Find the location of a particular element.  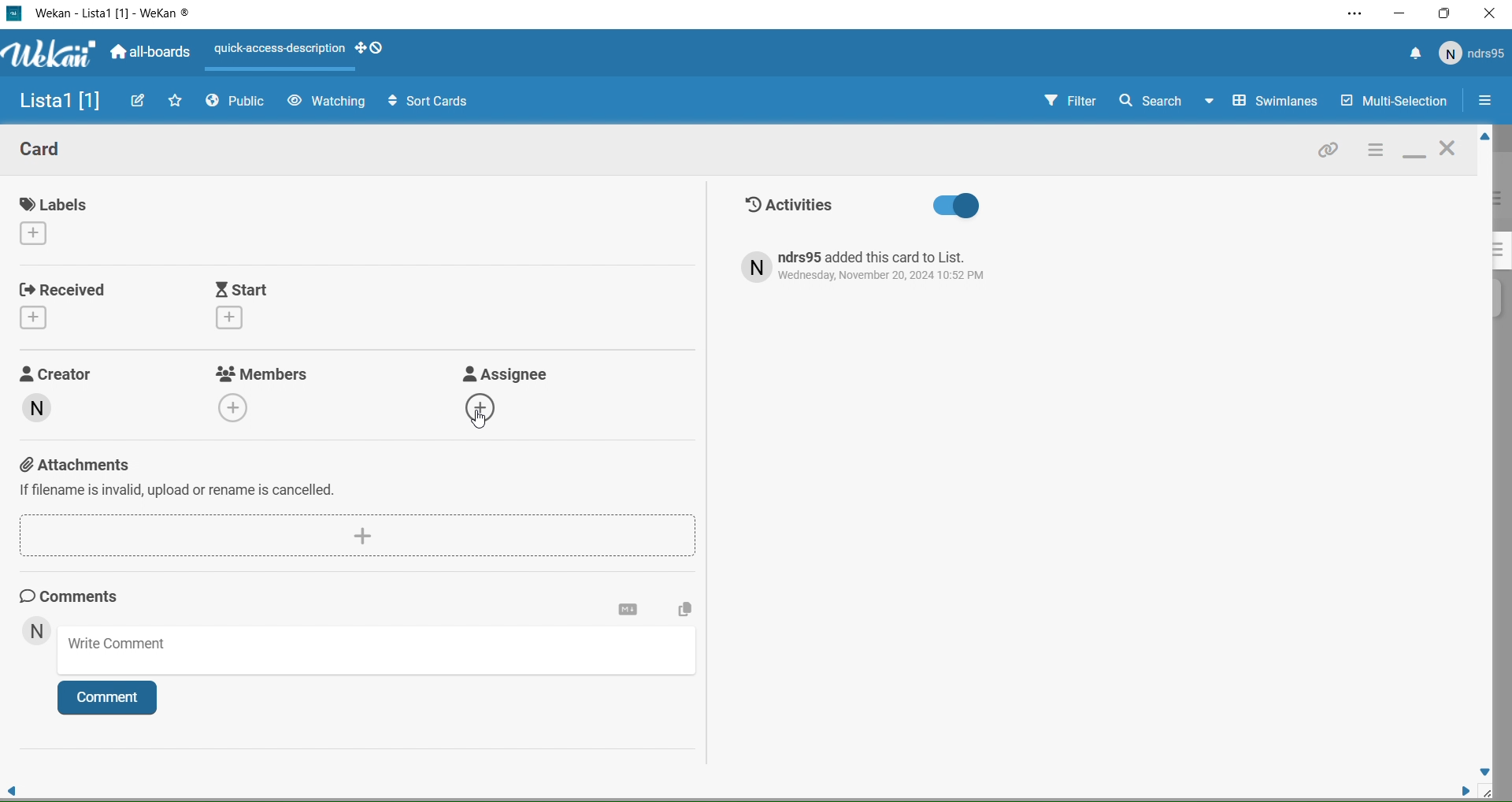

Asignee is located at coordinates (515, 398).